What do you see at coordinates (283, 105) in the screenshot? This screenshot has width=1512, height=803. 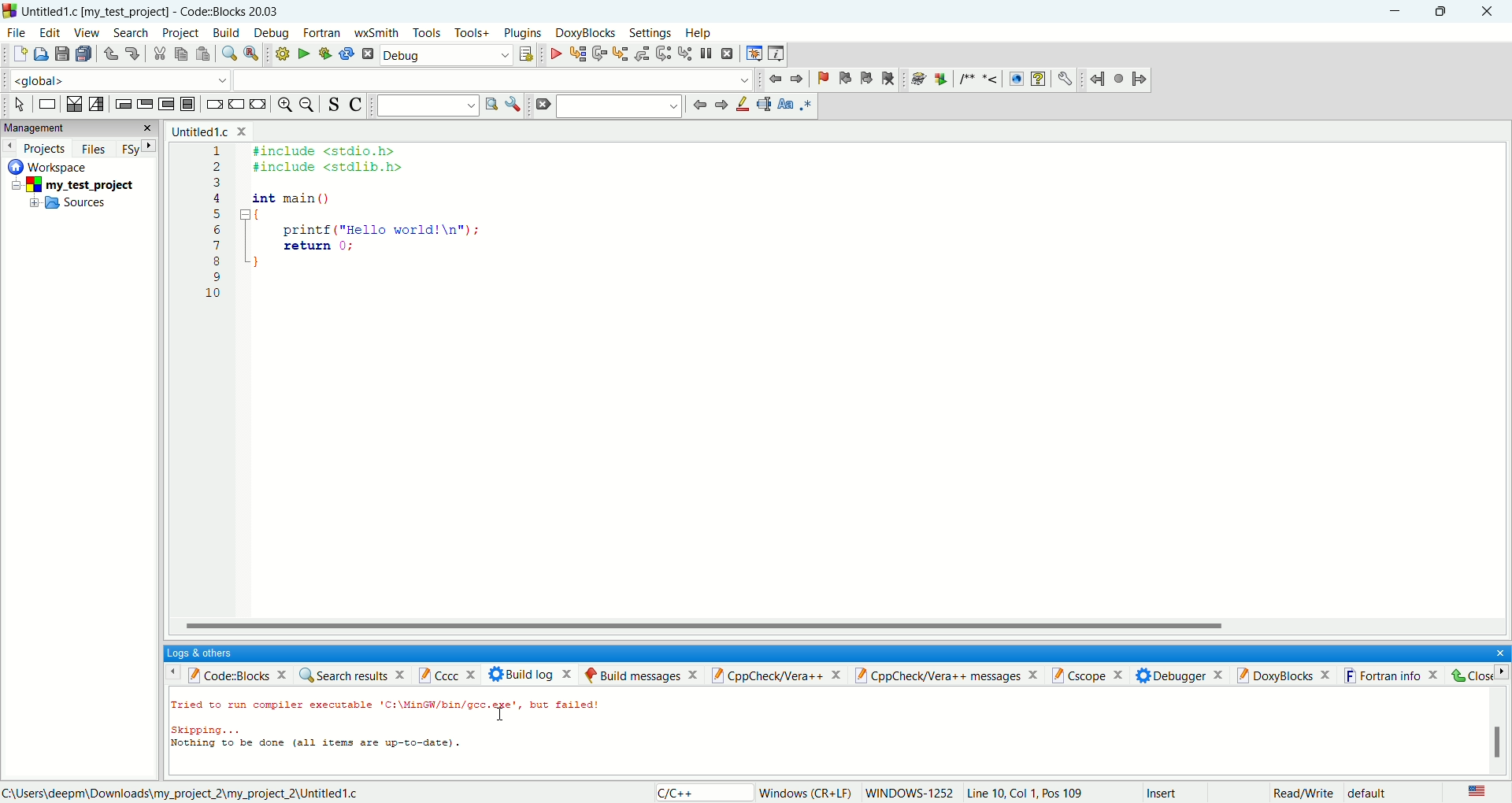 I see `zoom in` at bounding box center [283, 105].